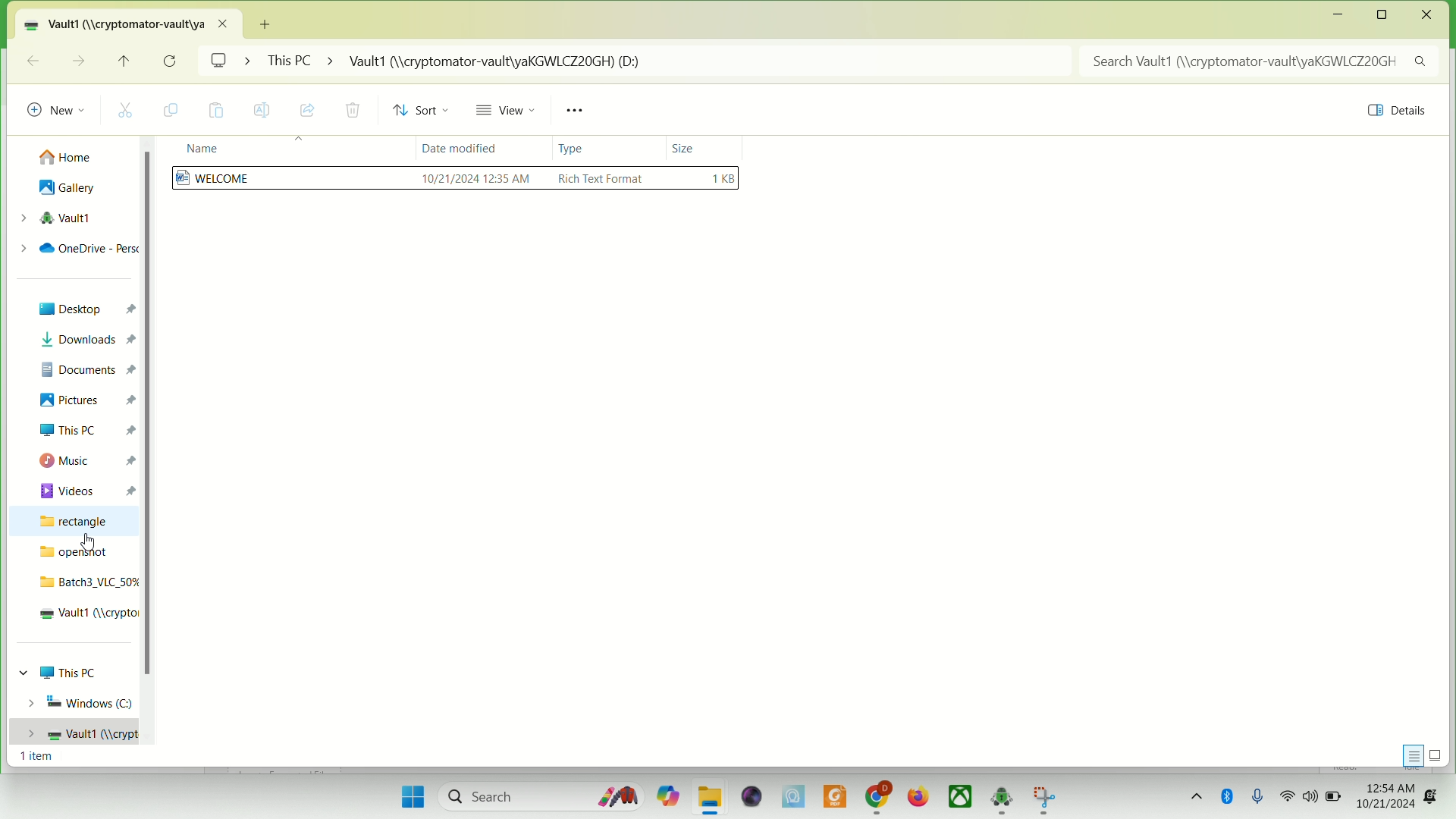 The width and height of the screenshot is (1456, 819). What do you see at coordinates (792, 796) in the screenshot?
I see `MSI center Pro` at bounding box center [792, 796].